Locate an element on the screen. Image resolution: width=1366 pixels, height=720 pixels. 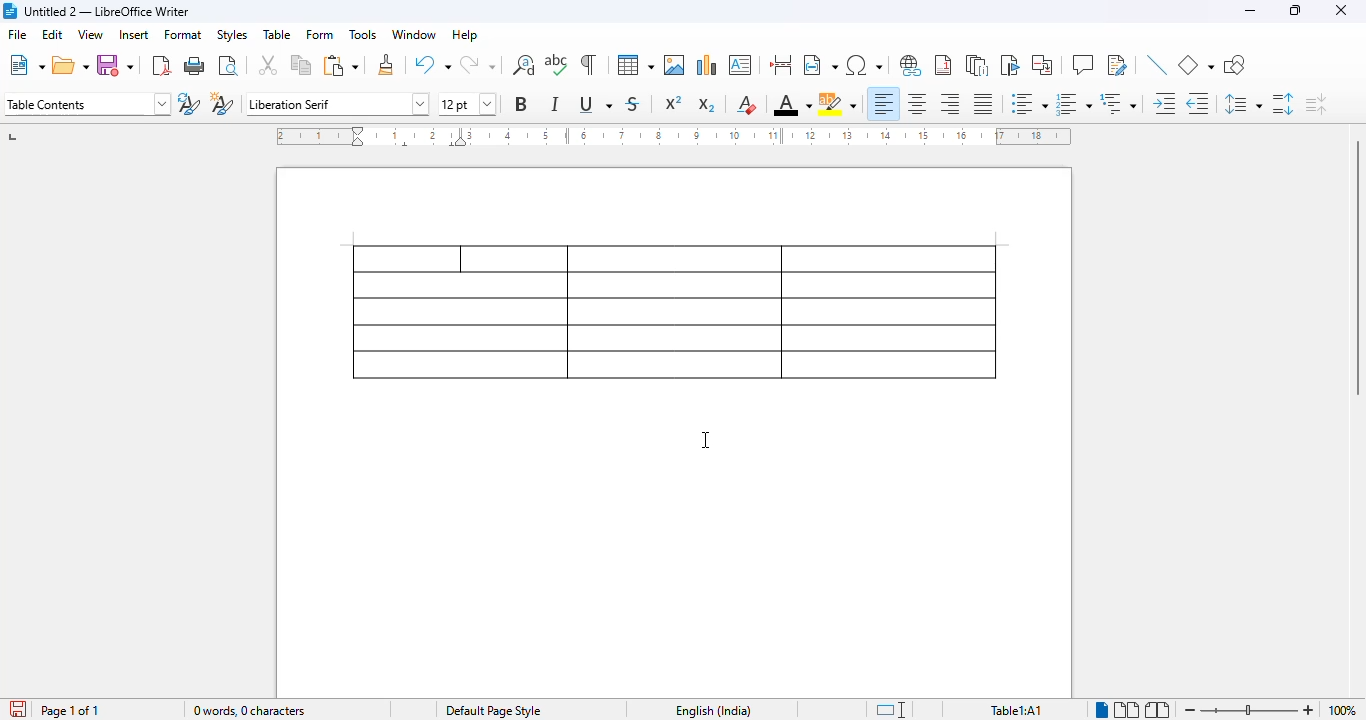
bold is located at coordinates (521, 103).